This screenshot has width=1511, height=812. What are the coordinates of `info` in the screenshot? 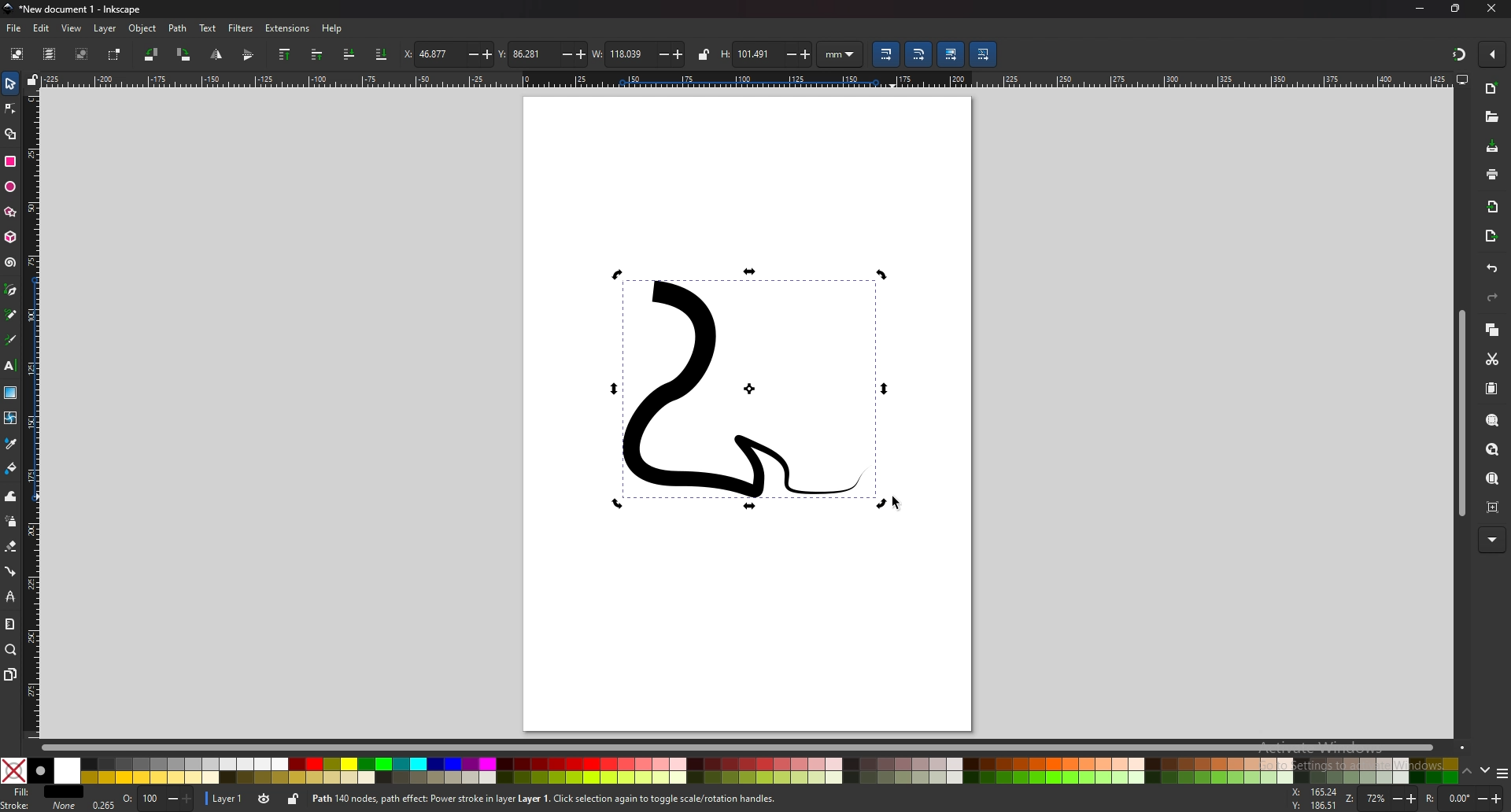 It's located at (543, 799).